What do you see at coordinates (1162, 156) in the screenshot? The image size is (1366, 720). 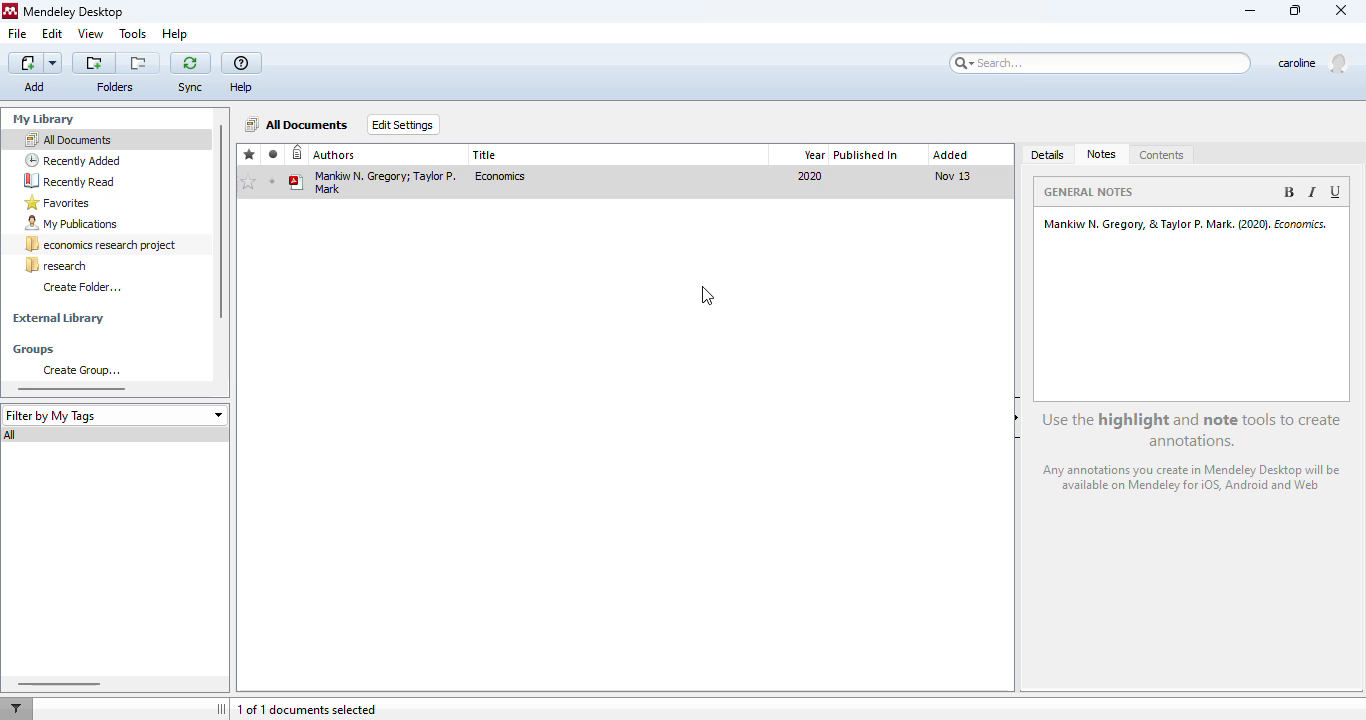 I see `contents` at bounding box center [1162, 156].